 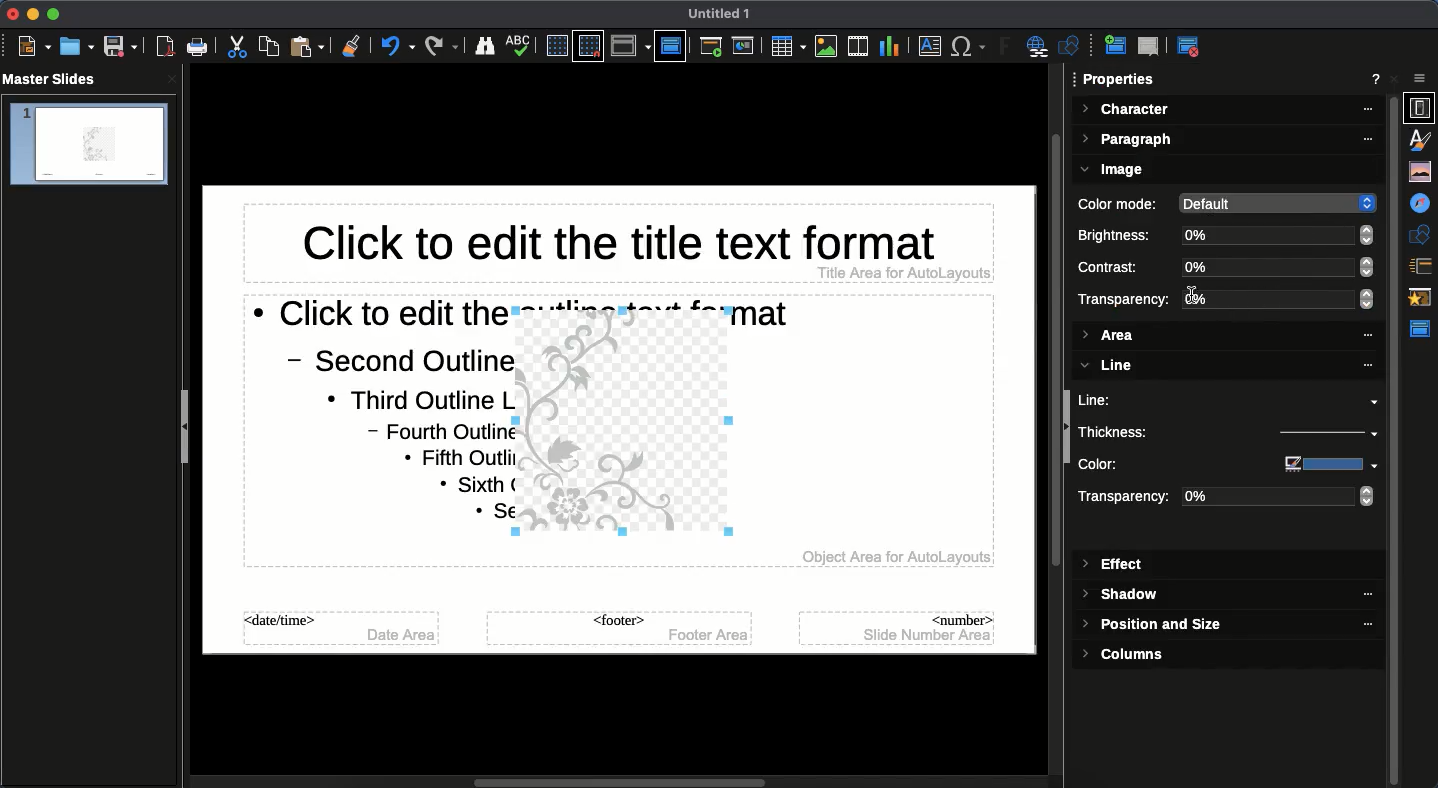 I want to click on Master slide, so click(x=1423, y=329).